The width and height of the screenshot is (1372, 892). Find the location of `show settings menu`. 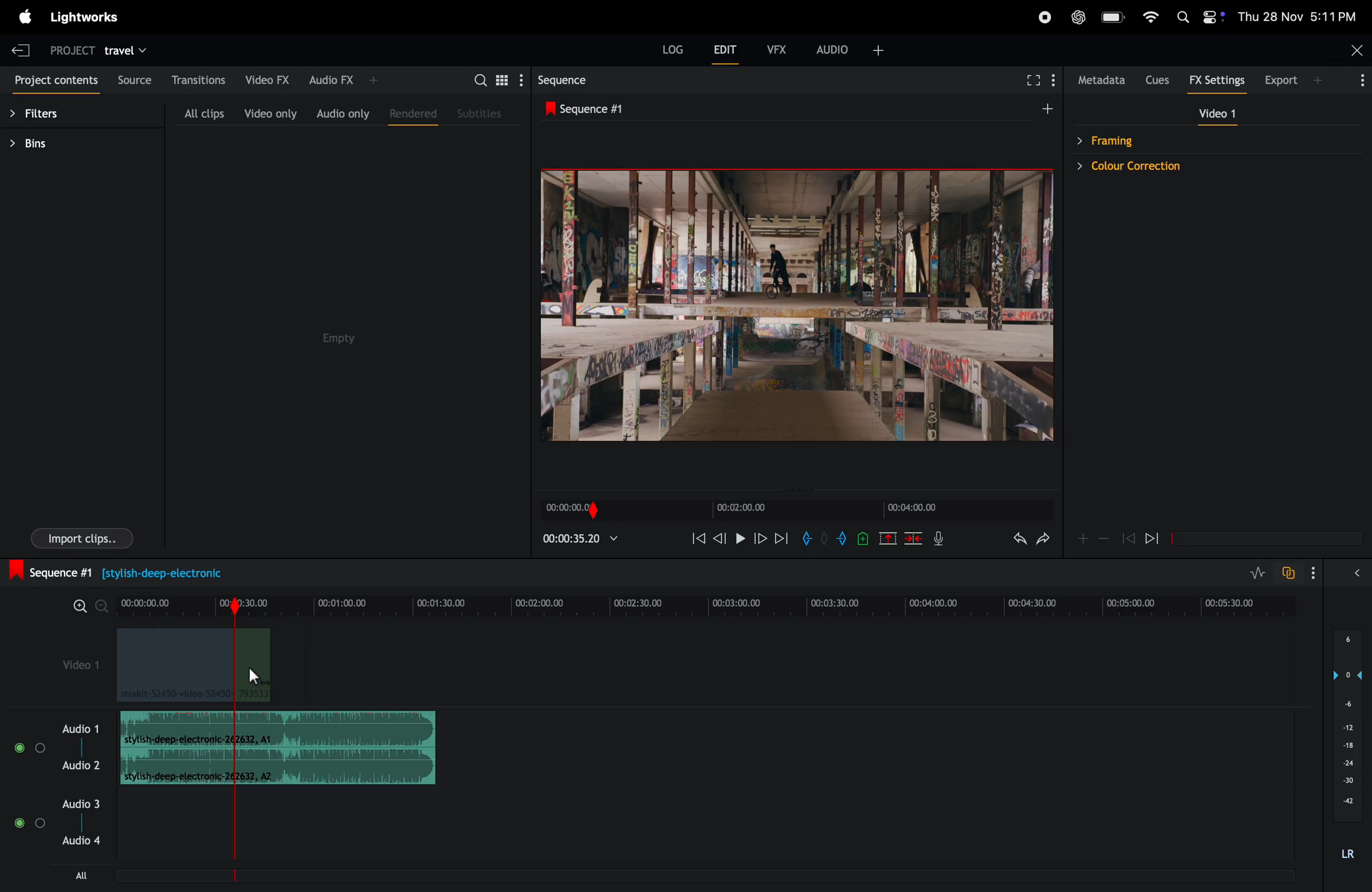

show settings menu is located at coordinates (1057, 77).